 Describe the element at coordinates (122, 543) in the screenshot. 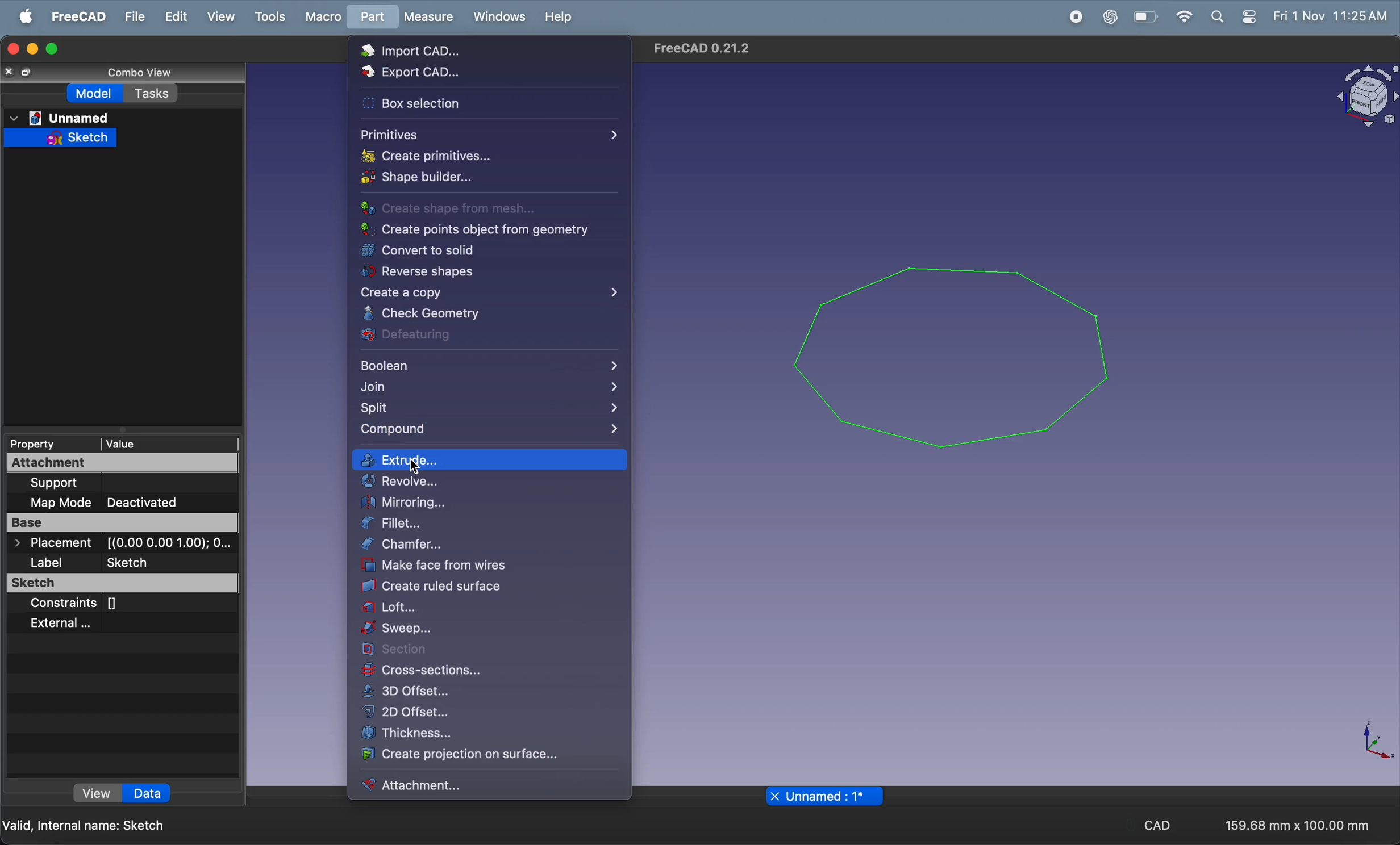

I see `Placement [(0.00 0.00 1.00); O...` at that location.